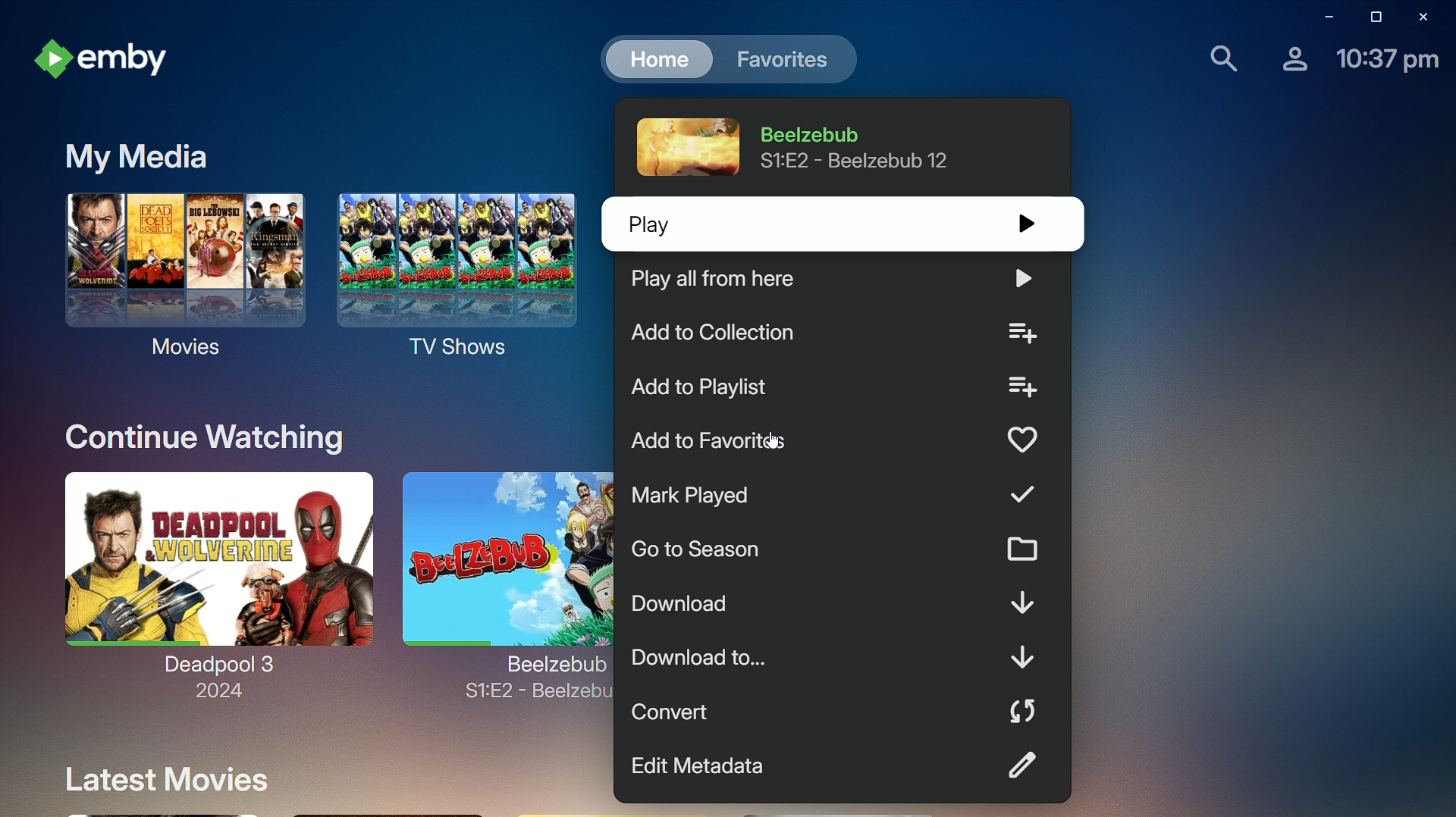  What do you see at coordinates (501, 569) in the screenshot?
I see `Beelzebub` at bounding box center [501, 569].